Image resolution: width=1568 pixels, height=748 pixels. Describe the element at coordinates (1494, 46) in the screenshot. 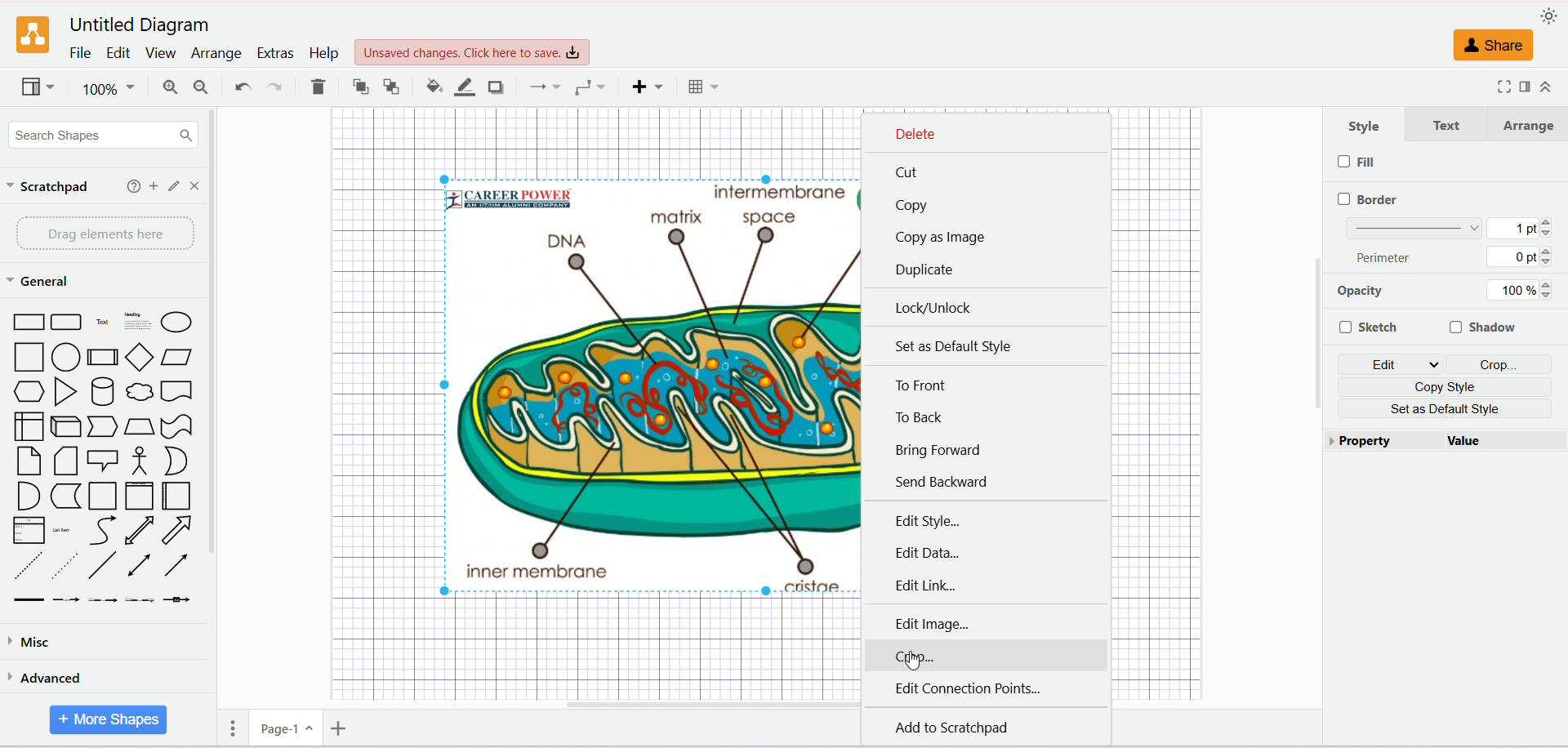

I see `share` at that location.